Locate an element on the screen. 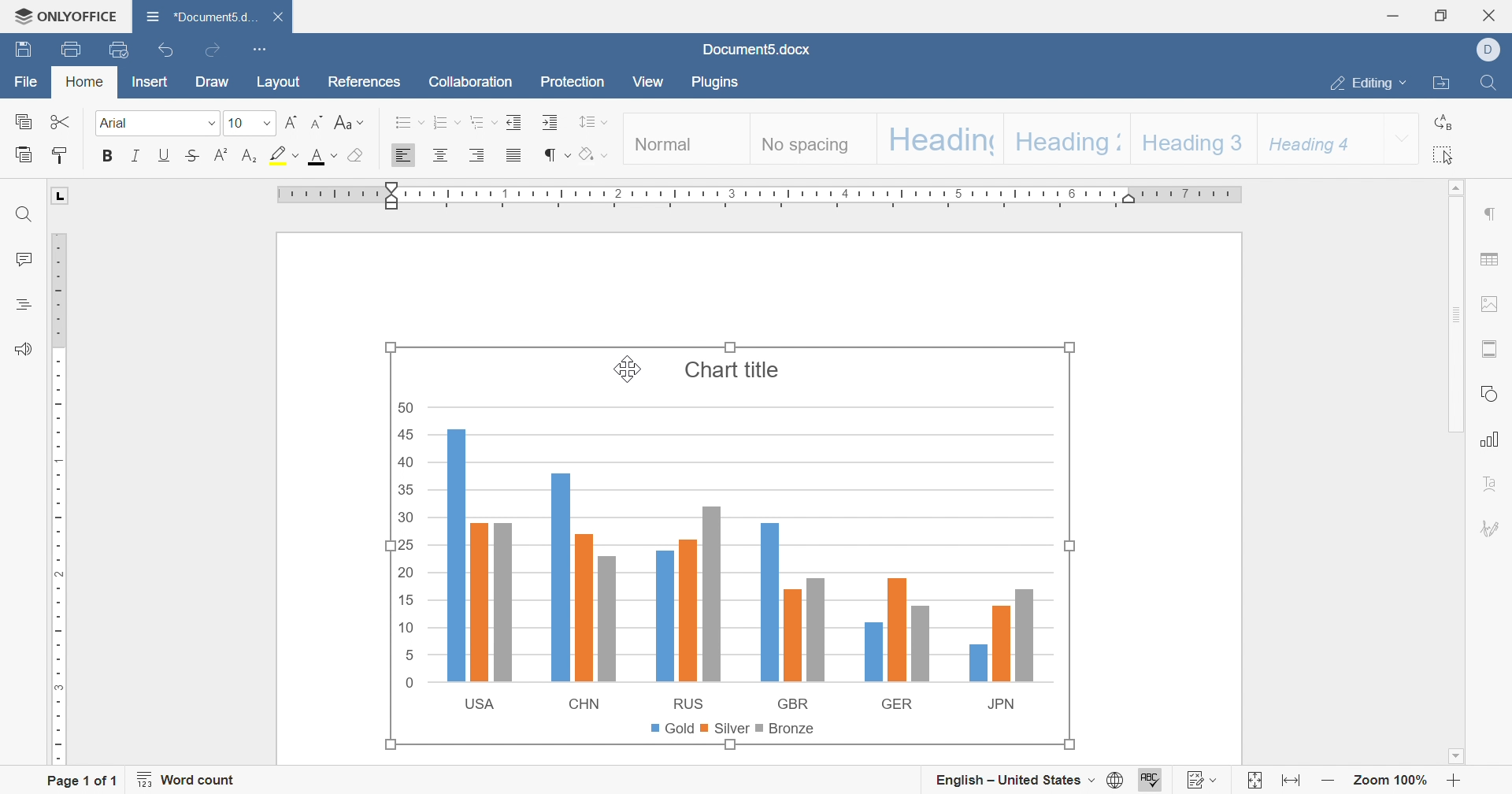 The width and height of the screenshot is (1512, 794). Increase indent is located at coordinates (552, 123).